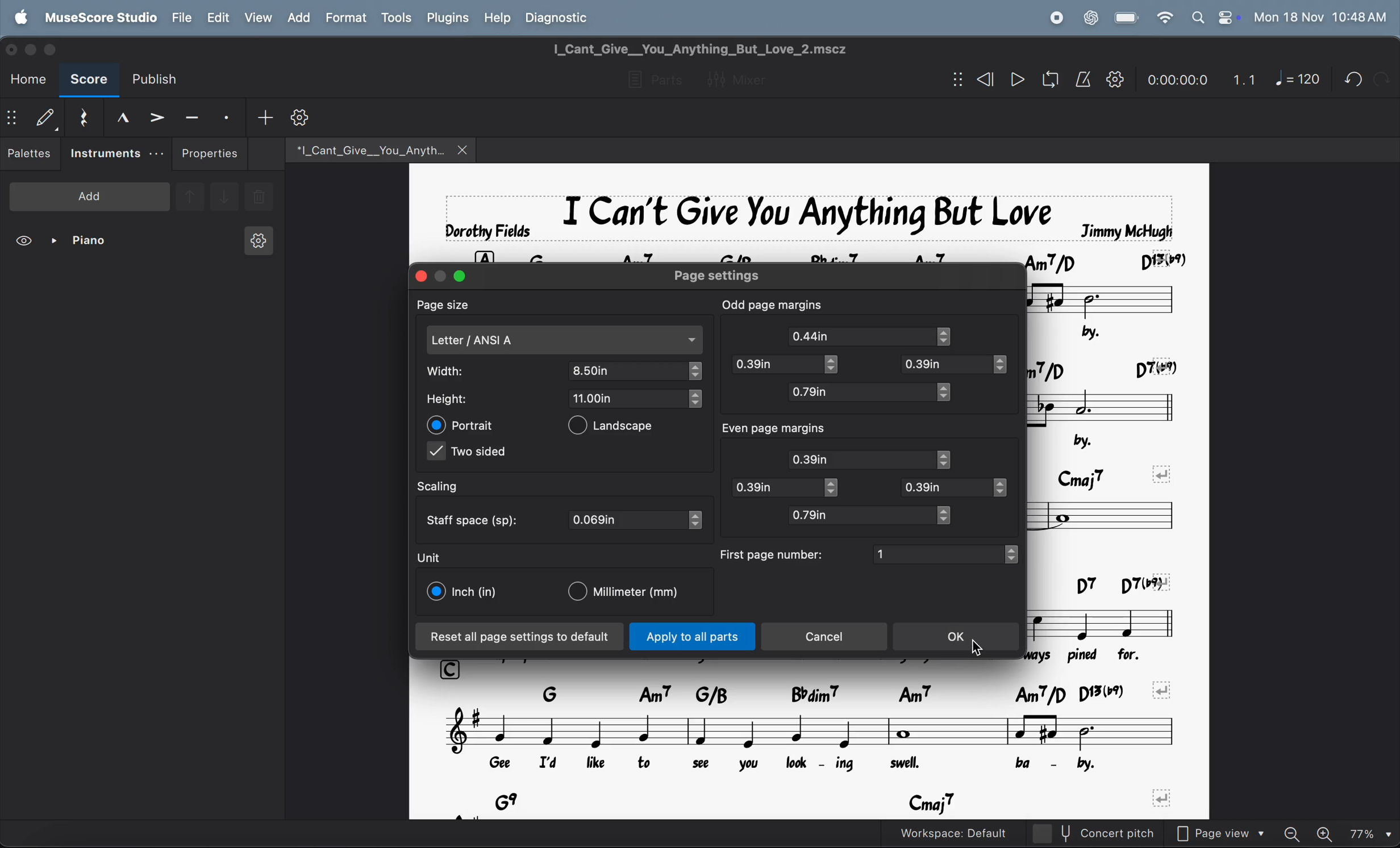 The width and height of the screenshot is (1400, 848). Describe the element at coordinates (498, 16) in the screenshot. I see `help` at that location.